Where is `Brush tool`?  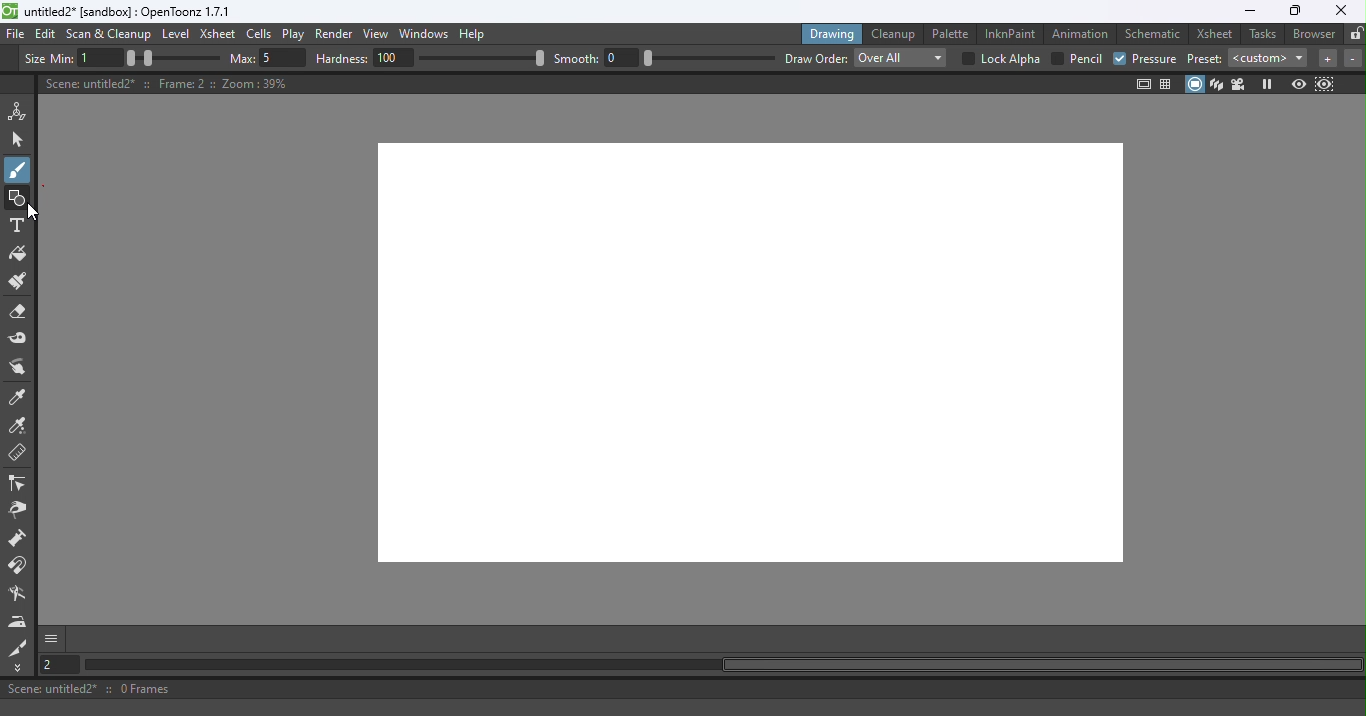 Brush tool is located at coordinates (22, 169).